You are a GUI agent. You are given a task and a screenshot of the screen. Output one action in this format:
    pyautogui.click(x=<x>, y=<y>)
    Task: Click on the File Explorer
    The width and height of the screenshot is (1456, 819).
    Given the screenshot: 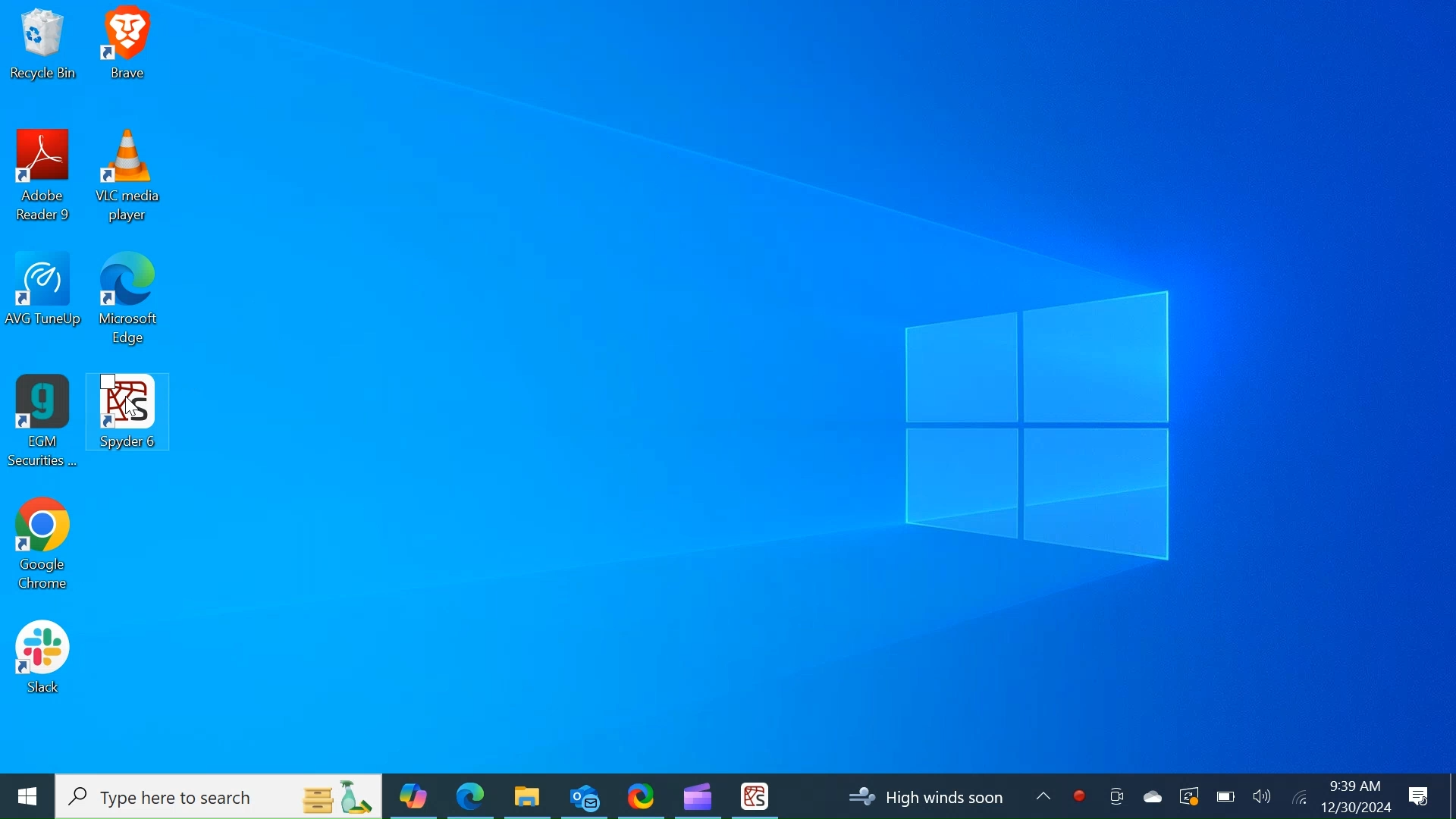 What is the action you would take?
    pyautogui.click(x=526, y=795)
    